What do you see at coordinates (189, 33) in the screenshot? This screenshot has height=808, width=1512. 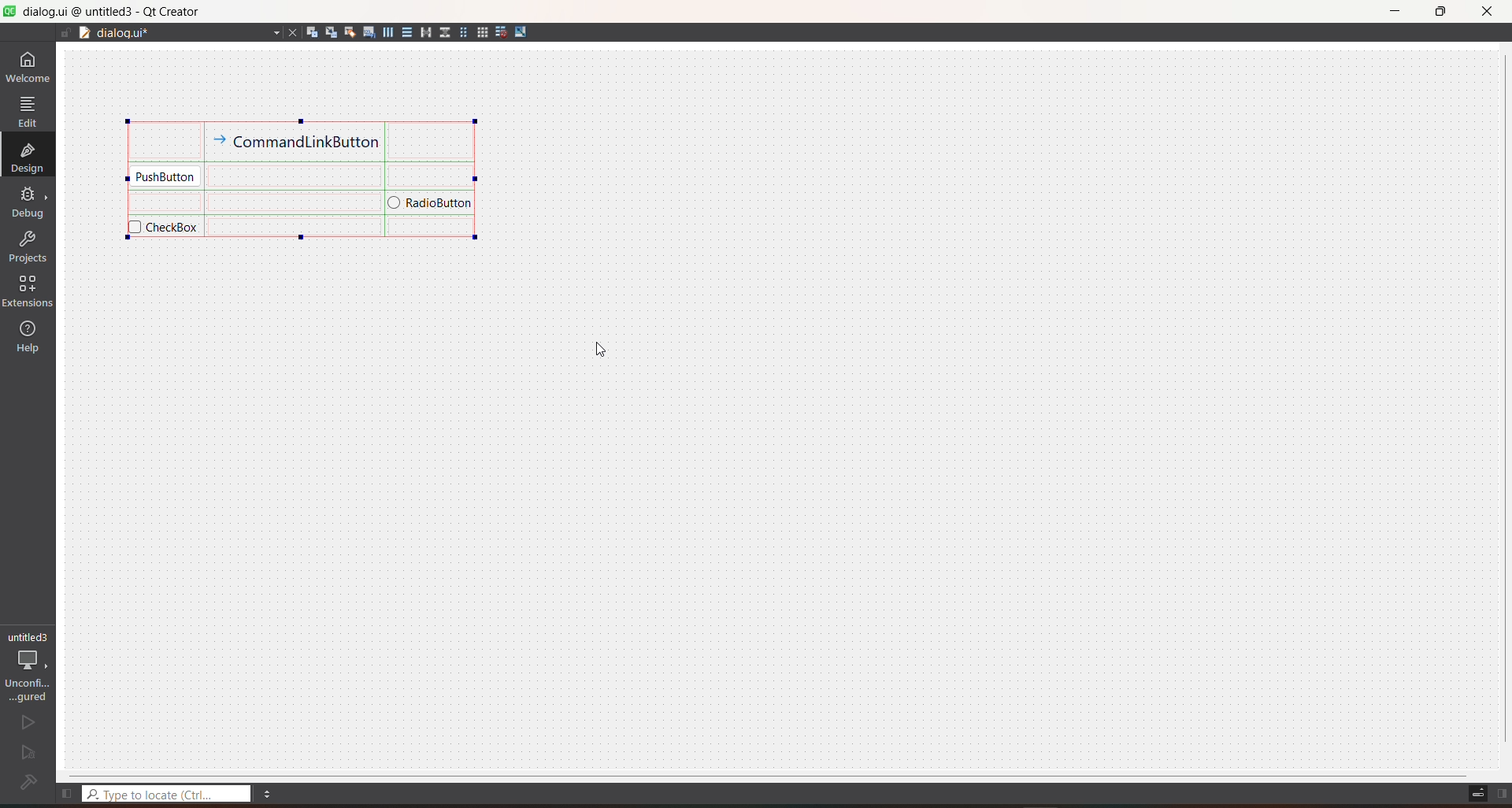 I see `file name` at bounding box center [189, 33].